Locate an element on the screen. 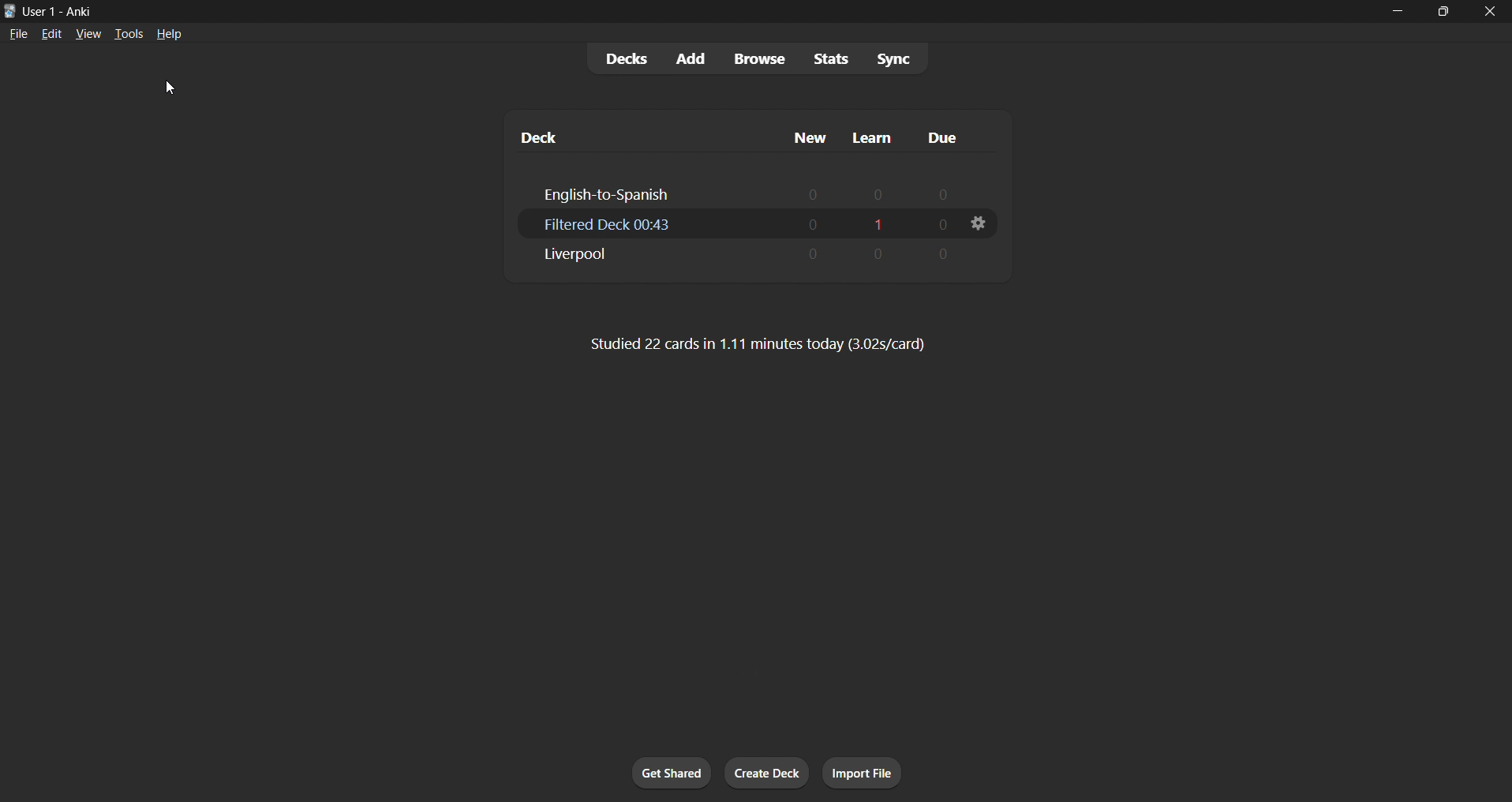 Image resolution: width=1512 pixels, height=802 pixels.  is located at coordinates (807, 130).